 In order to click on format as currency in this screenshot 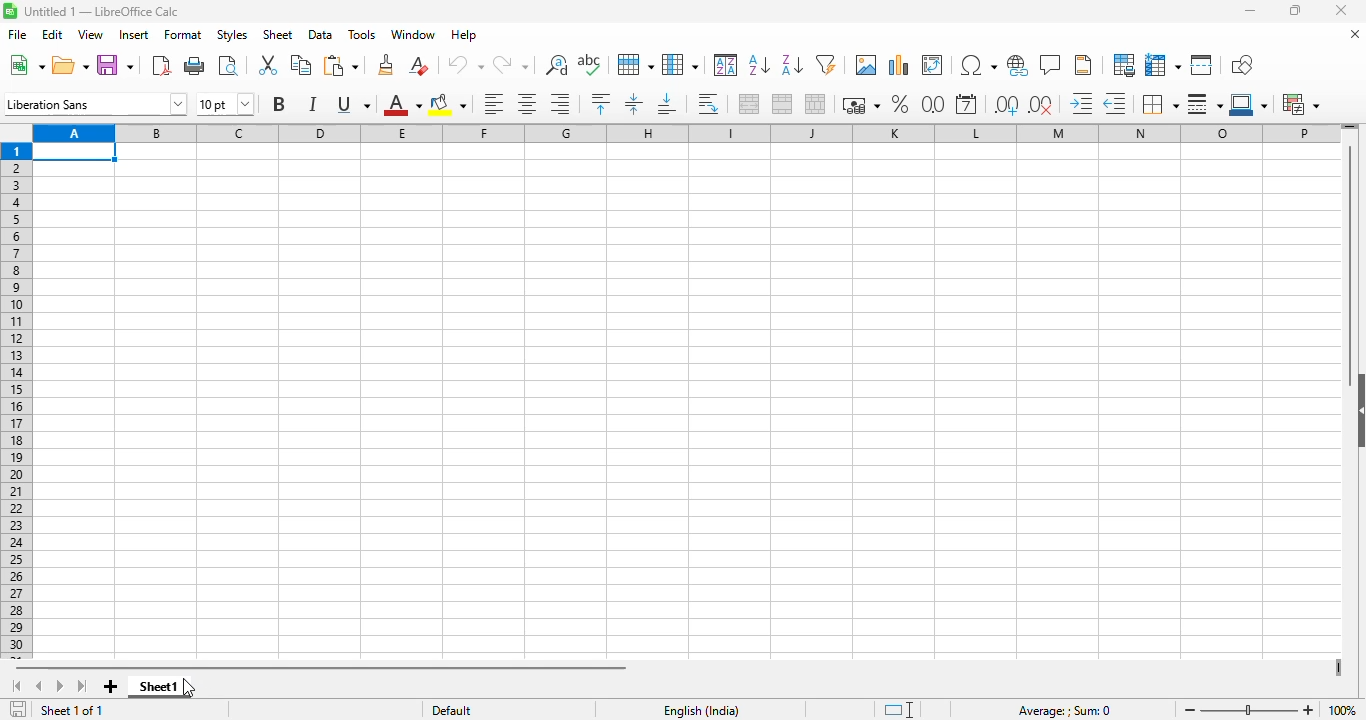, I will do `click(861, 105)`.